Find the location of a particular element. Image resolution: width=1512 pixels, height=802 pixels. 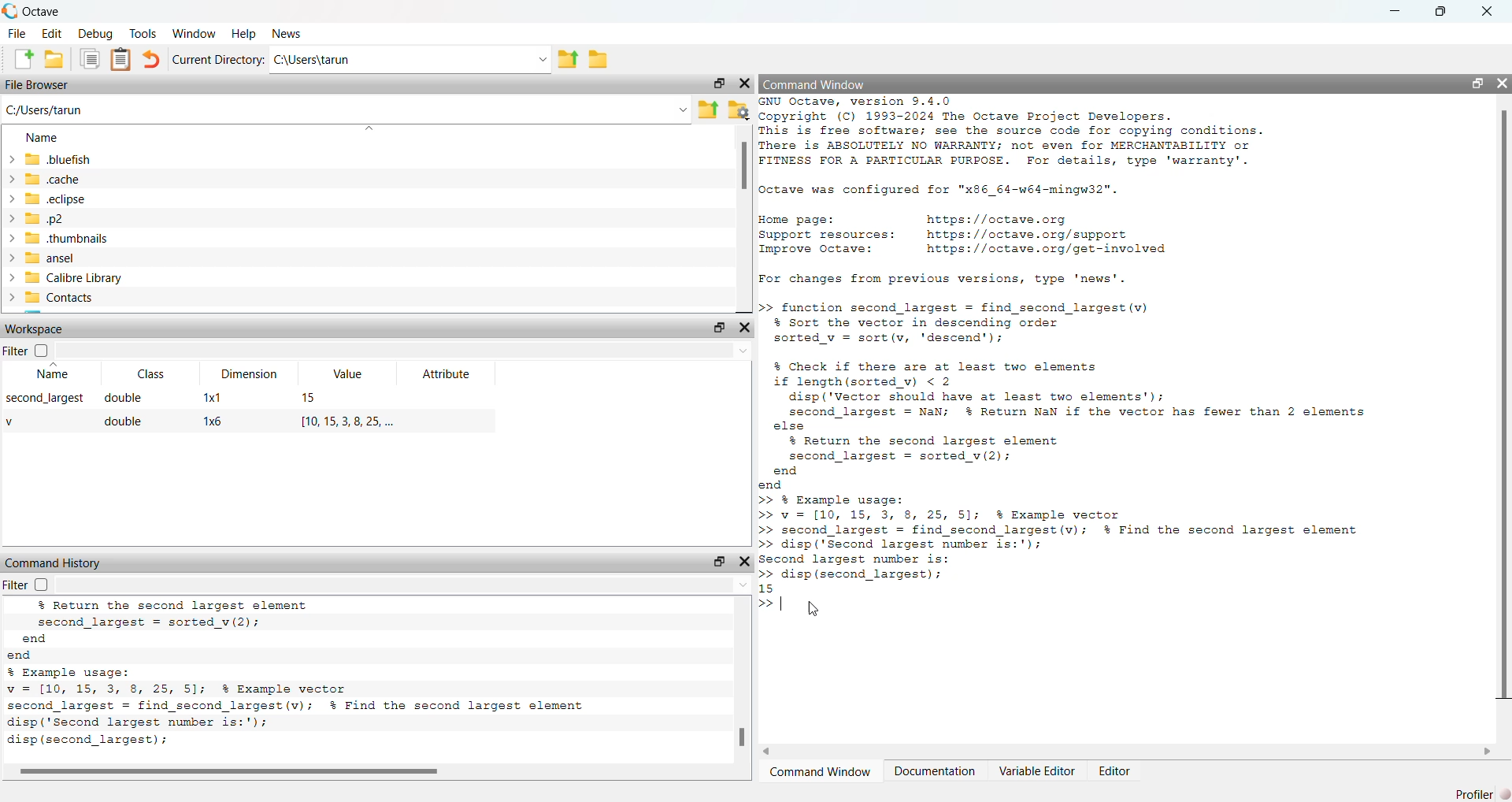

close is located at coordinates (1492, 11).